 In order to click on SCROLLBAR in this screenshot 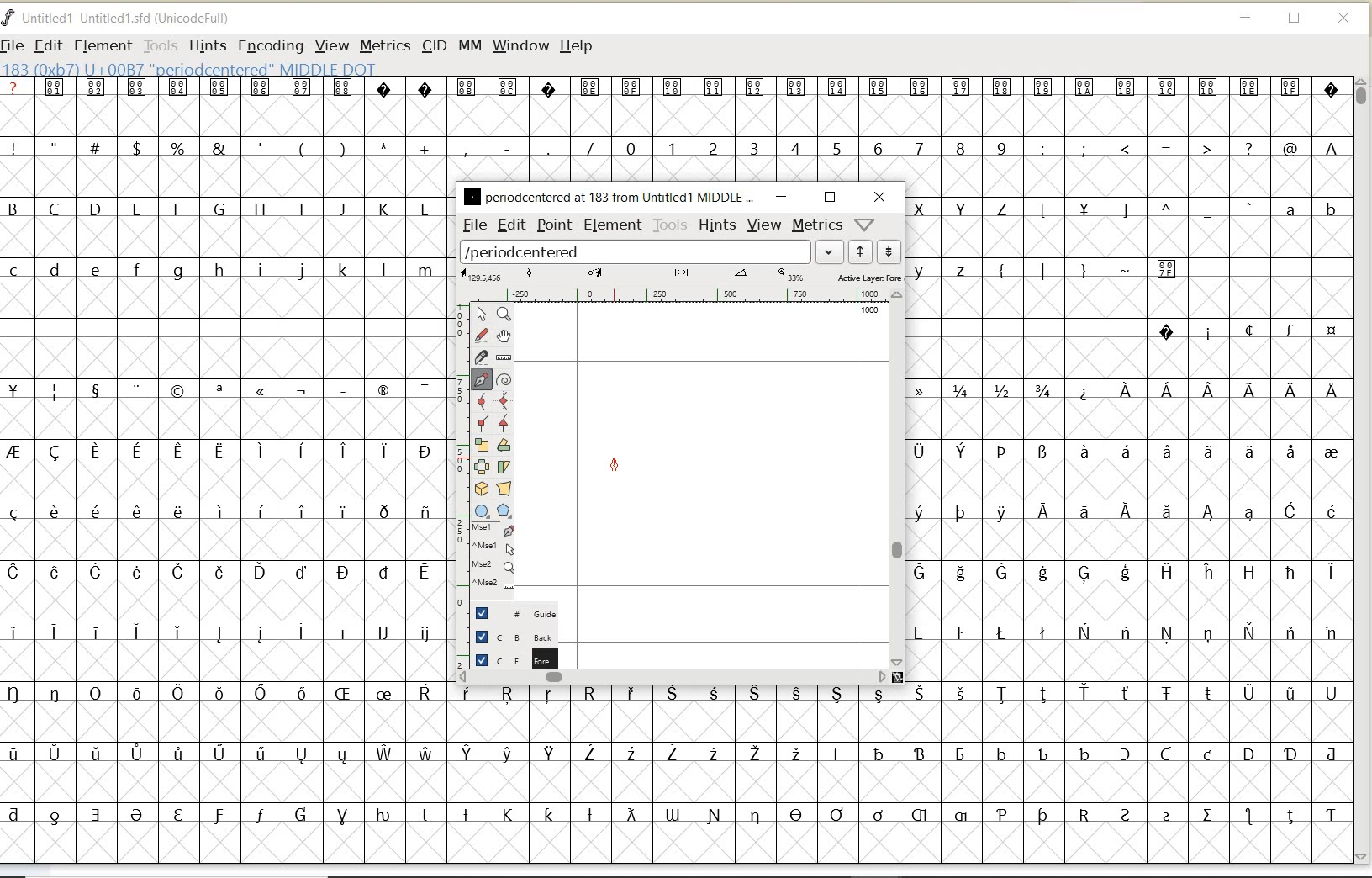, I will do `click(1364, 470)`.